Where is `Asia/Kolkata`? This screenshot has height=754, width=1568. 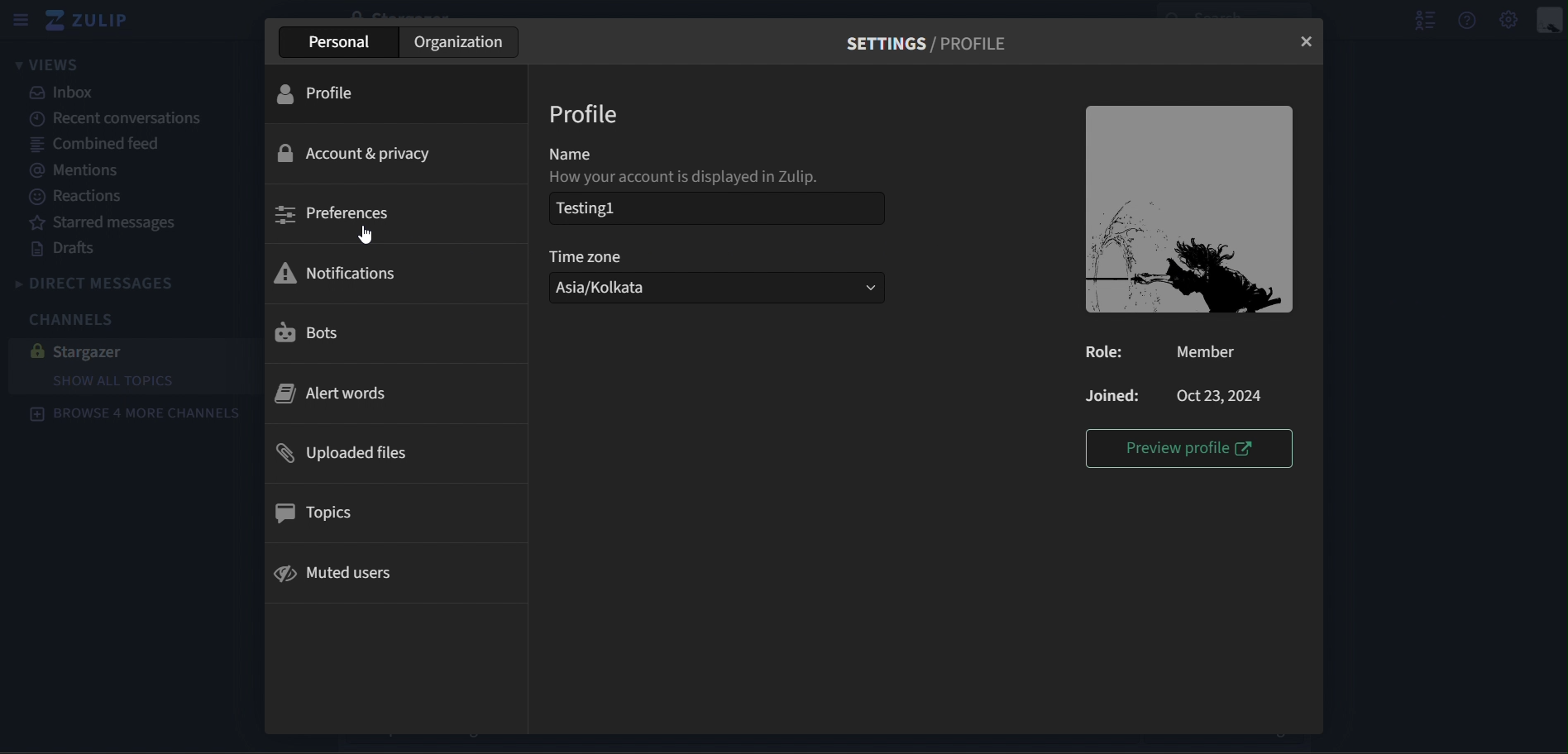
Asia/Kolkata is located at coordinates (715, 288).